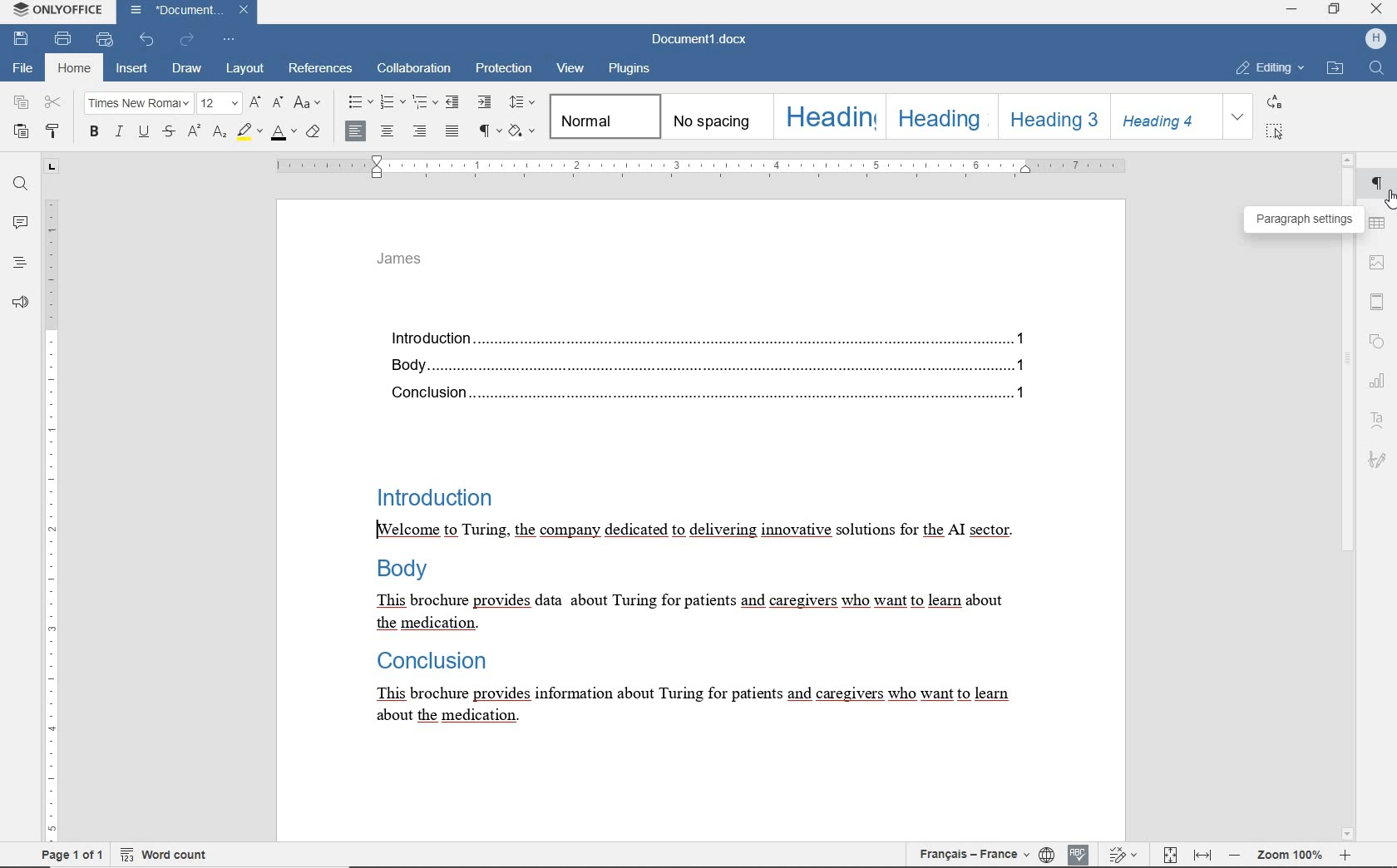 Image resolution: width=1397 pixels, height=868 pixels. I want to click on document name, so click(187, 12).